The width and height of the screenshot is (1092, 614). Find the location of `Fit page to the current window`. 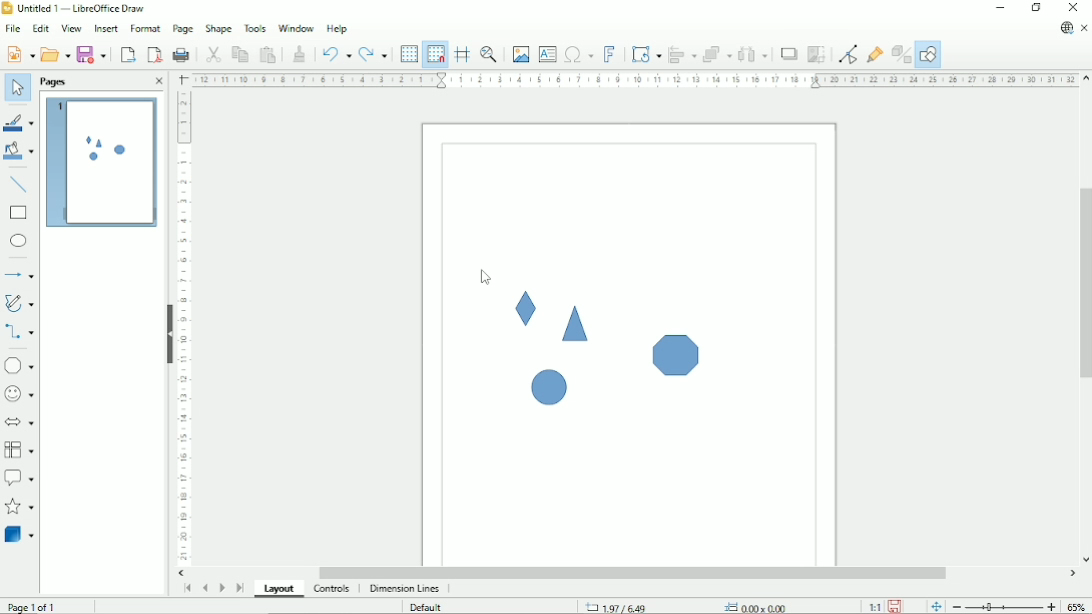

Fit page to the current window is located at coordinates (934, 605).